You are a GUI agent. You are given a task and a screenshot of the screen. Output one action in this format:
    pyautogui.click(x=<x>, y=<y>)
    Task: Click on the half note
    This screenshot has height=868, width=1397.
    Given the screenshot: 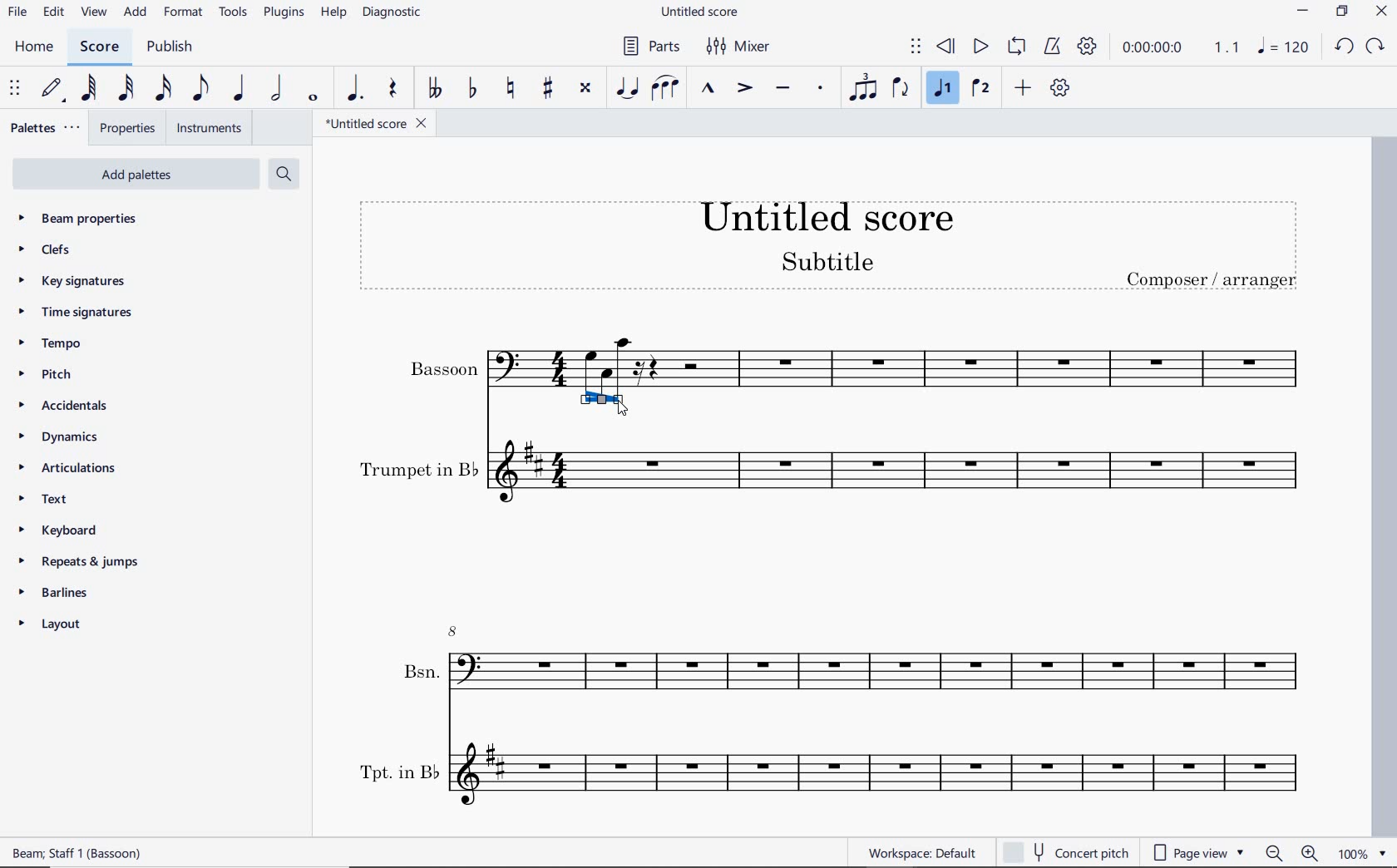 What is the action you would take?
    pyautogui.click(x=278, y=90)
    